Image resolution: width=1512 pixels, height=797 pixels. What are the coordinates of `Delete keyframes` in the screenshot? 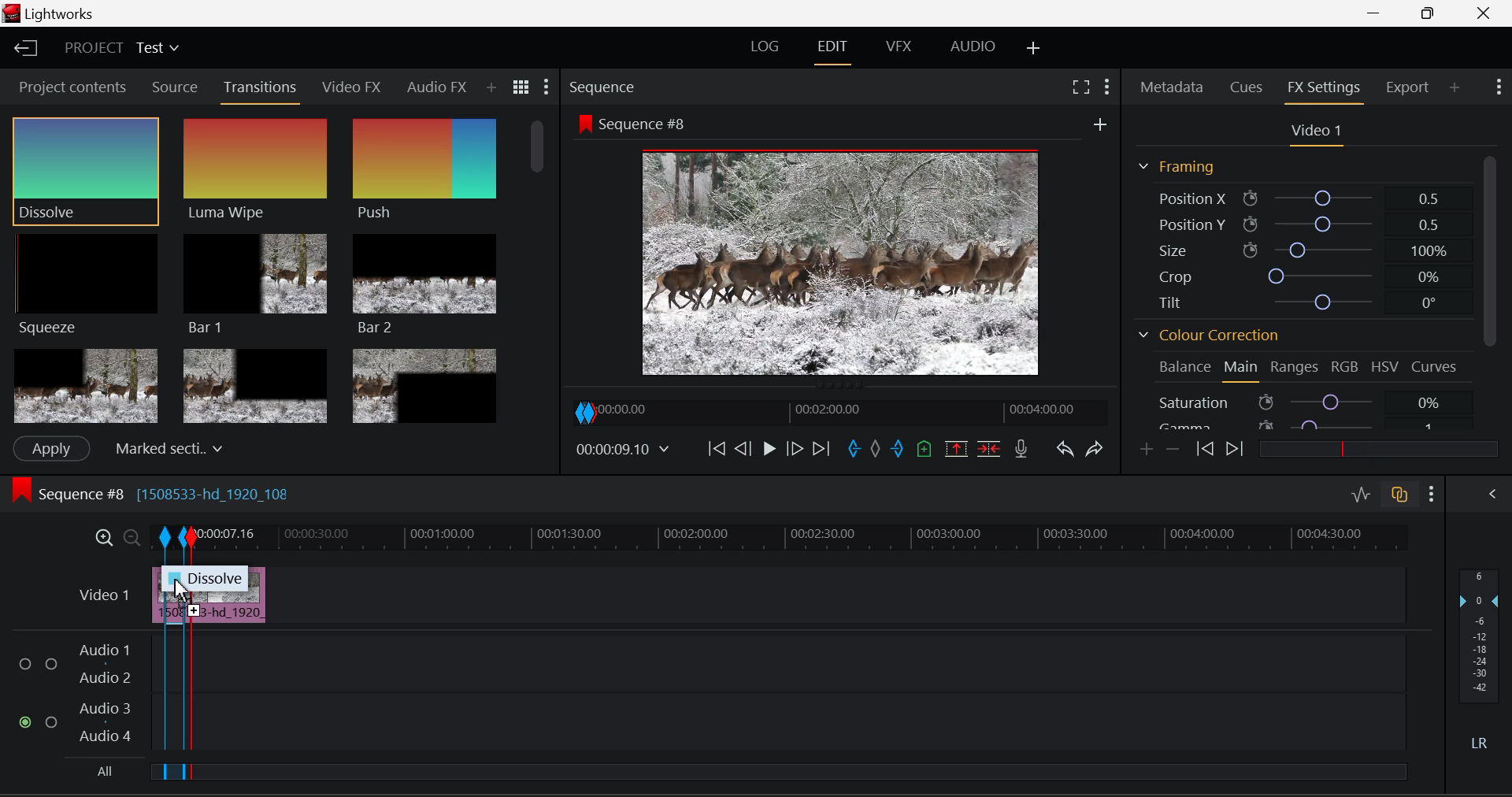 It's located at (1172, 448).